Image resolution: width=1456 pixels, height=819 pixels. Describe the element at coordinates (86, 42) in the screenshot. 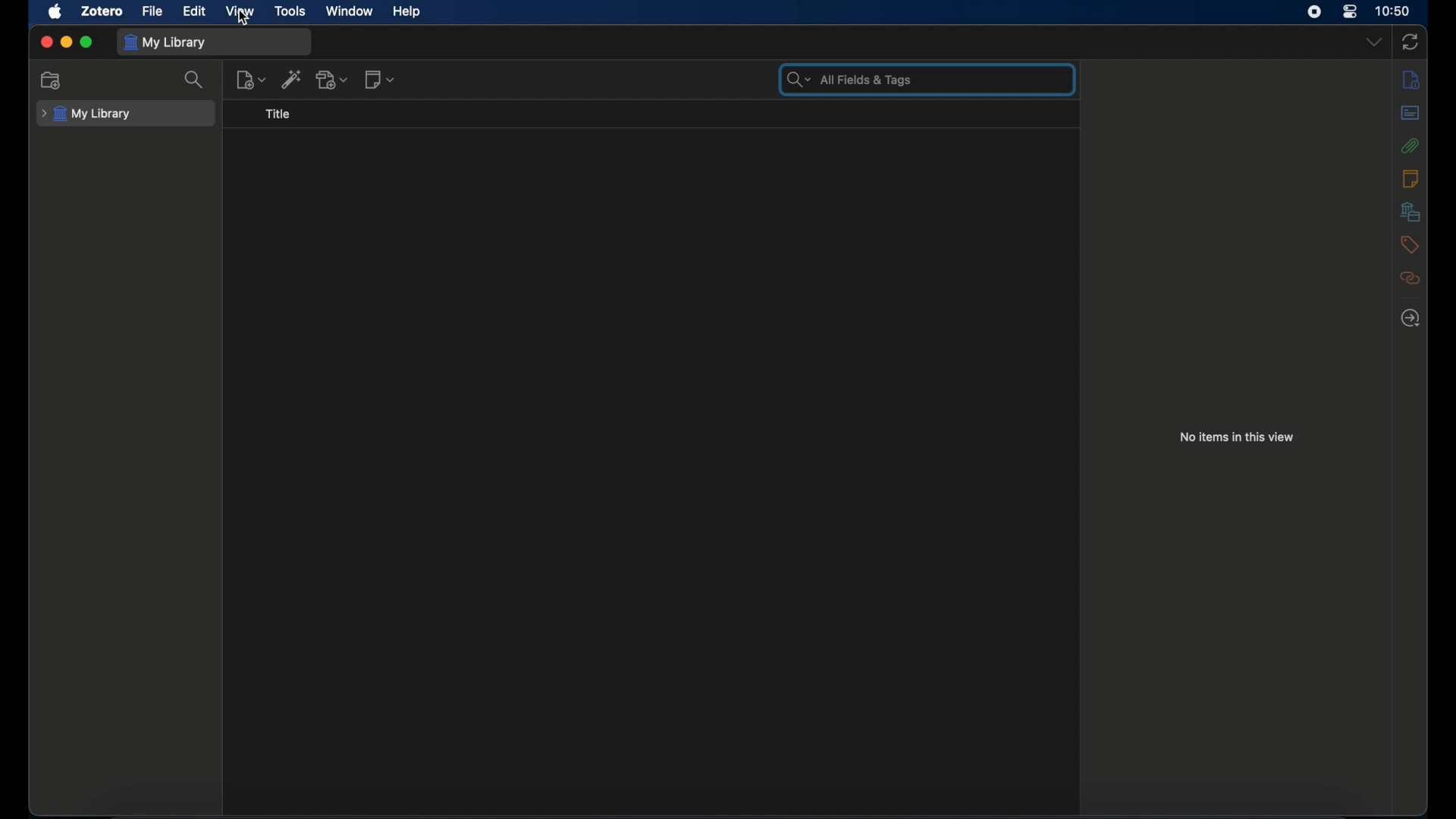

I see `maximize` at that location.